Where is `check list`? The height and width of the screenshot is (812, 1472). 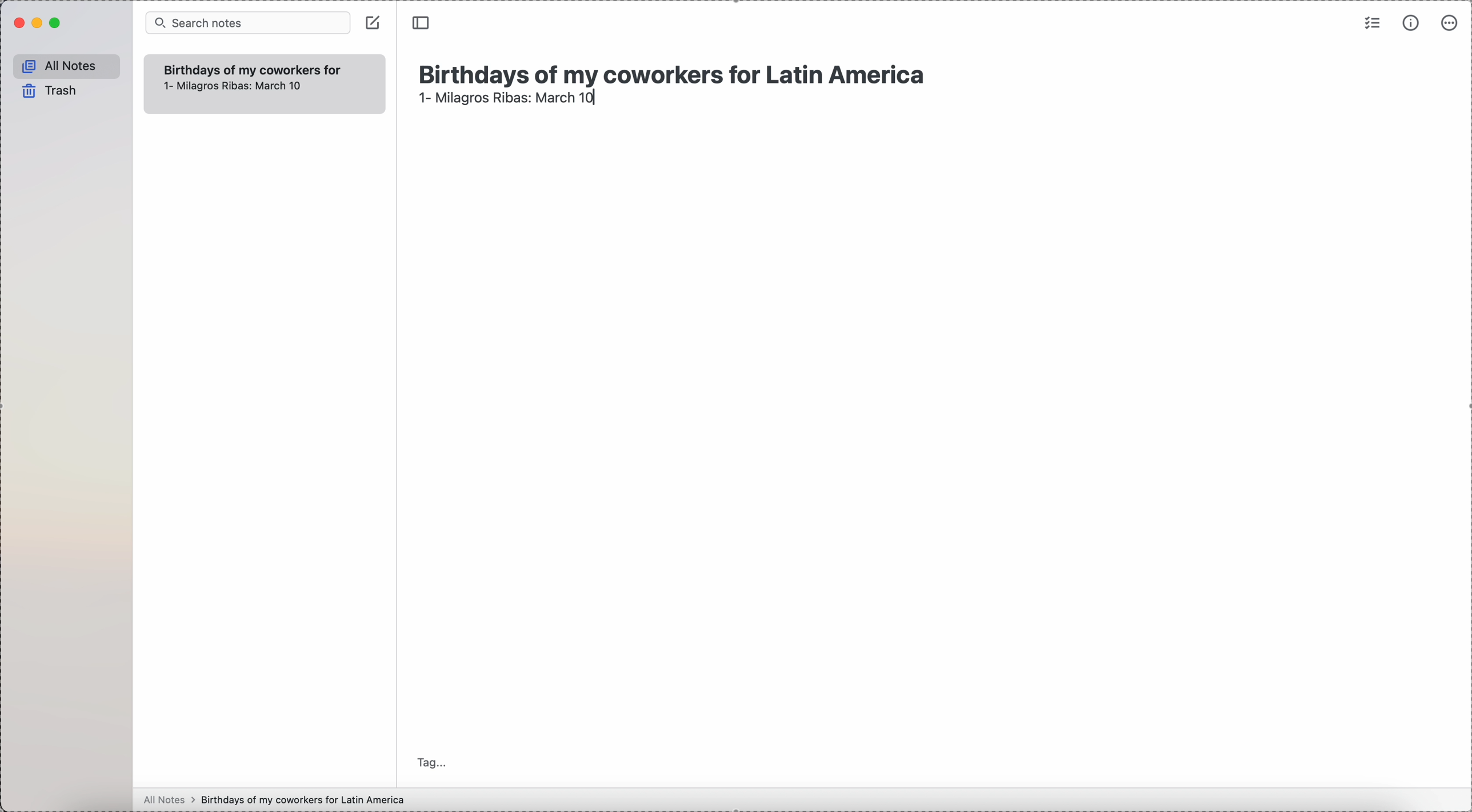
check list is located at coordinates (1371, 22).